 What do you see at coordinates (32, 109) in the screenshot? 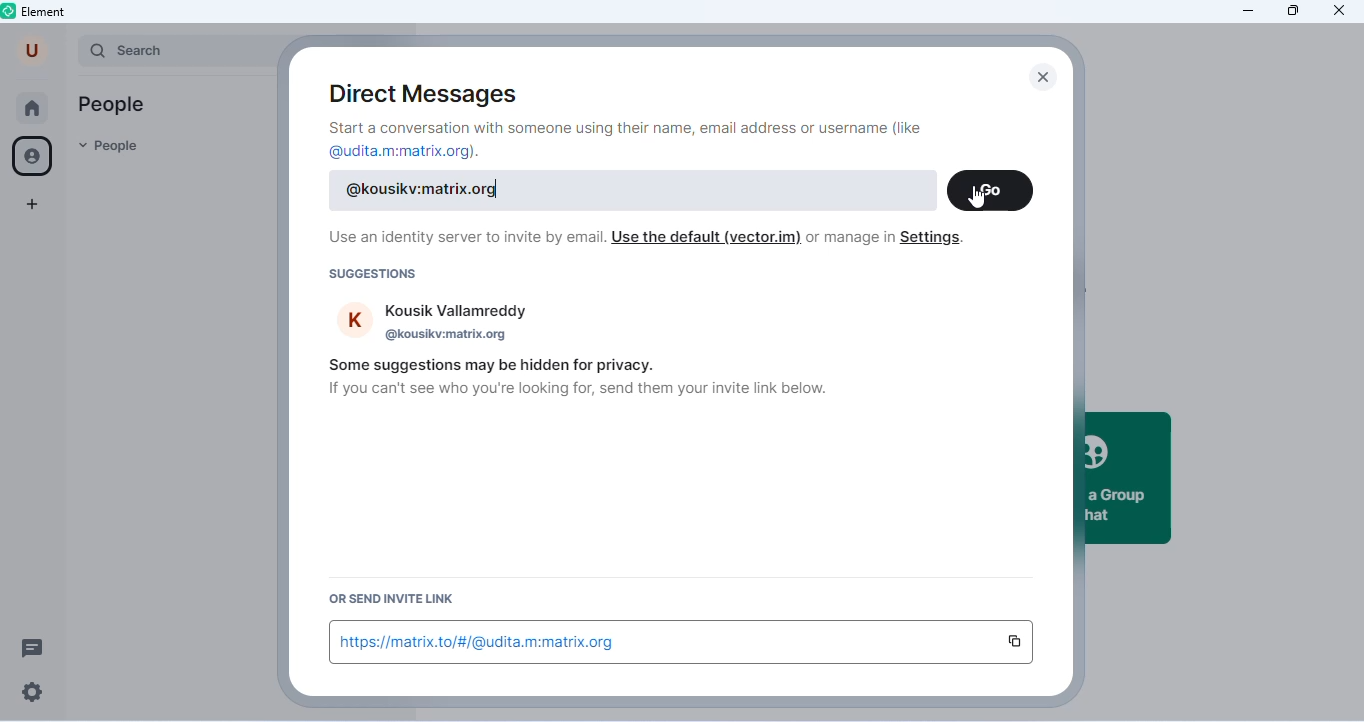
I see `home` at bounding box center [32, 109].